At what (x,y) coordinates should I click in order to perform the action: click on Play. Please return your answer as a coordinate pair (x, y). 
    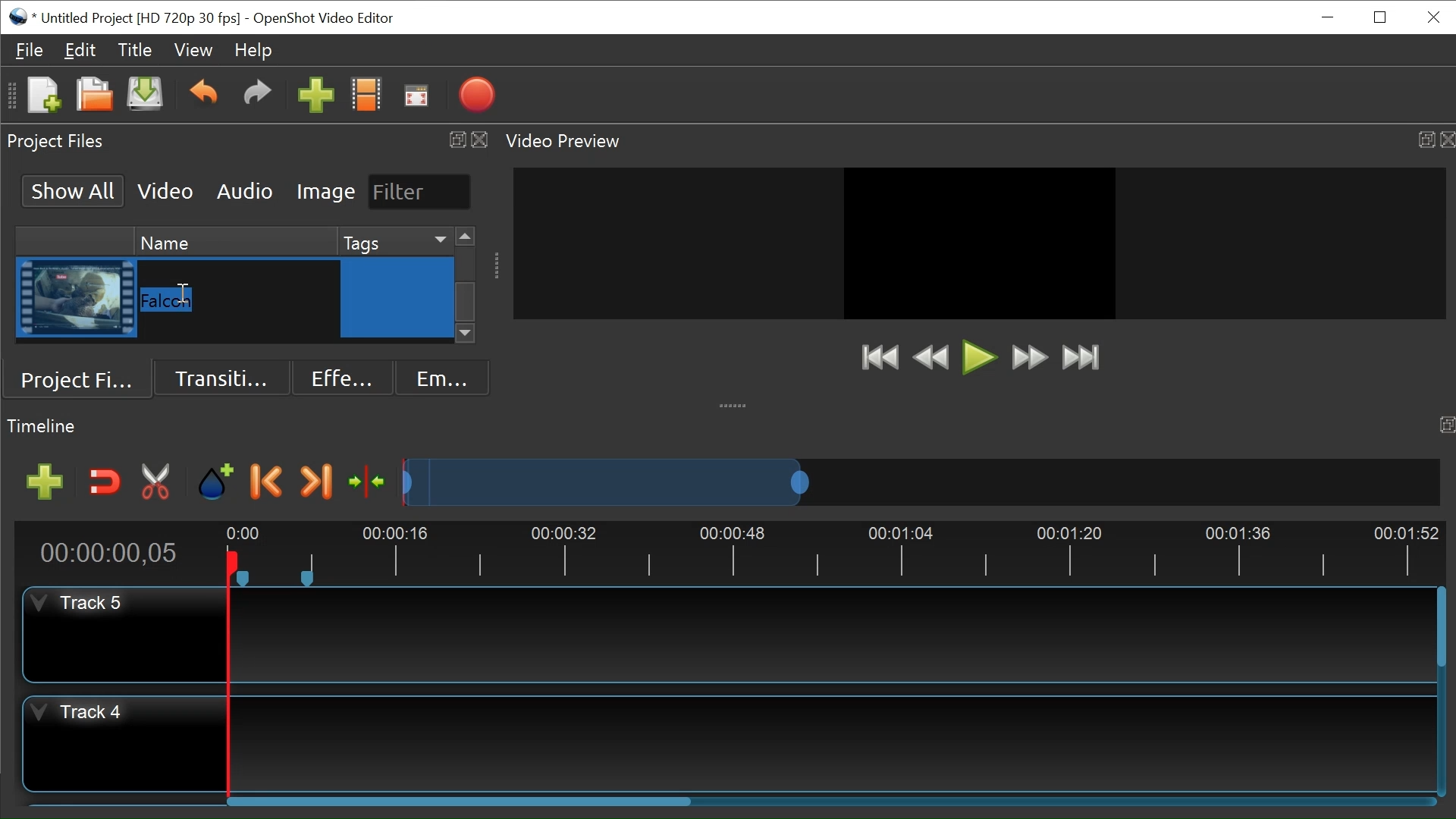
    Looking at the image, I should click on (979, 357).